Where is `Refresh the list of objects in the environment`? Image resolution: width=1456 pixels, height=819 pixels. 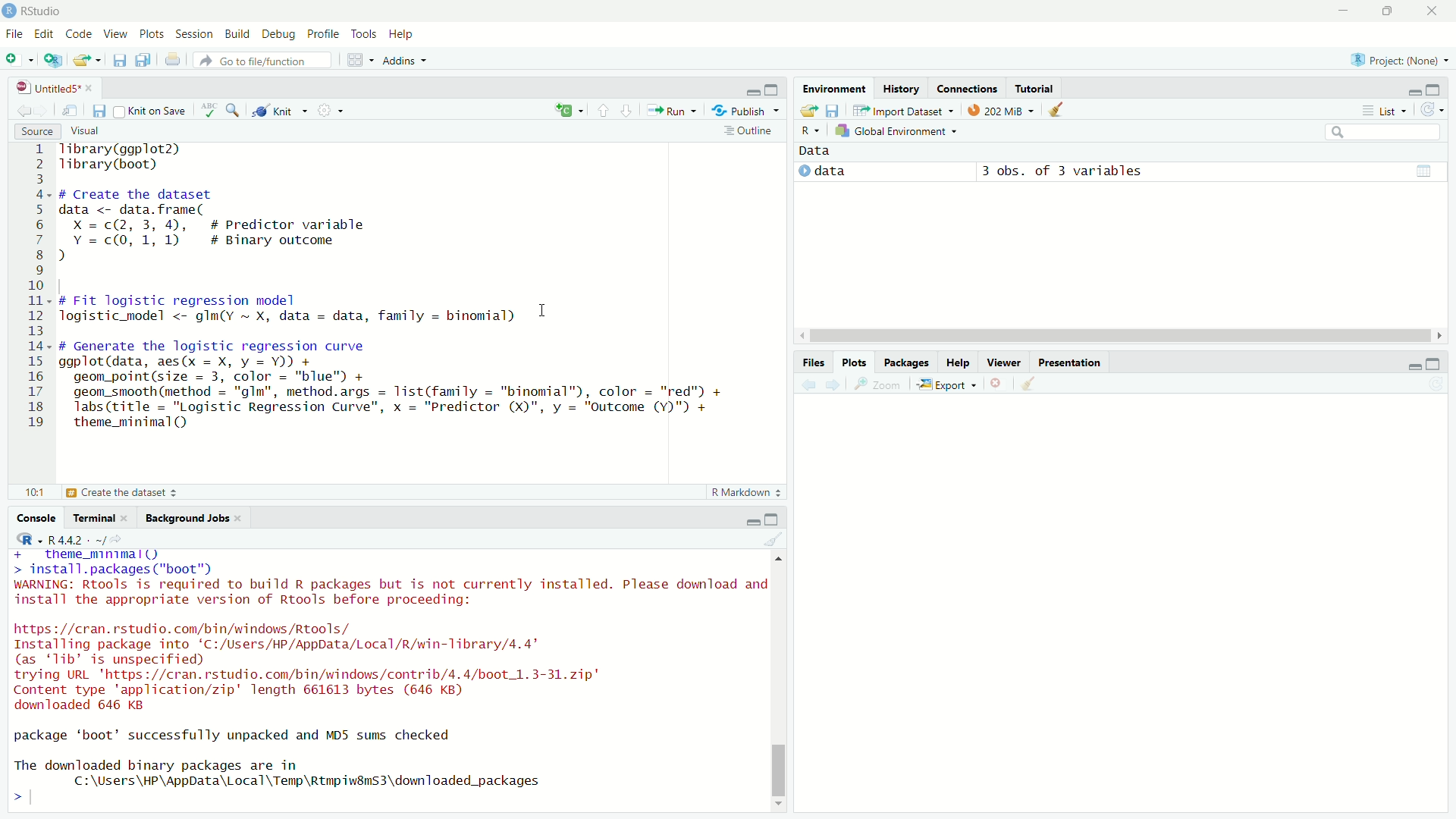
Refresh the list of objects in the environment is located at coordinates (1431, 109).